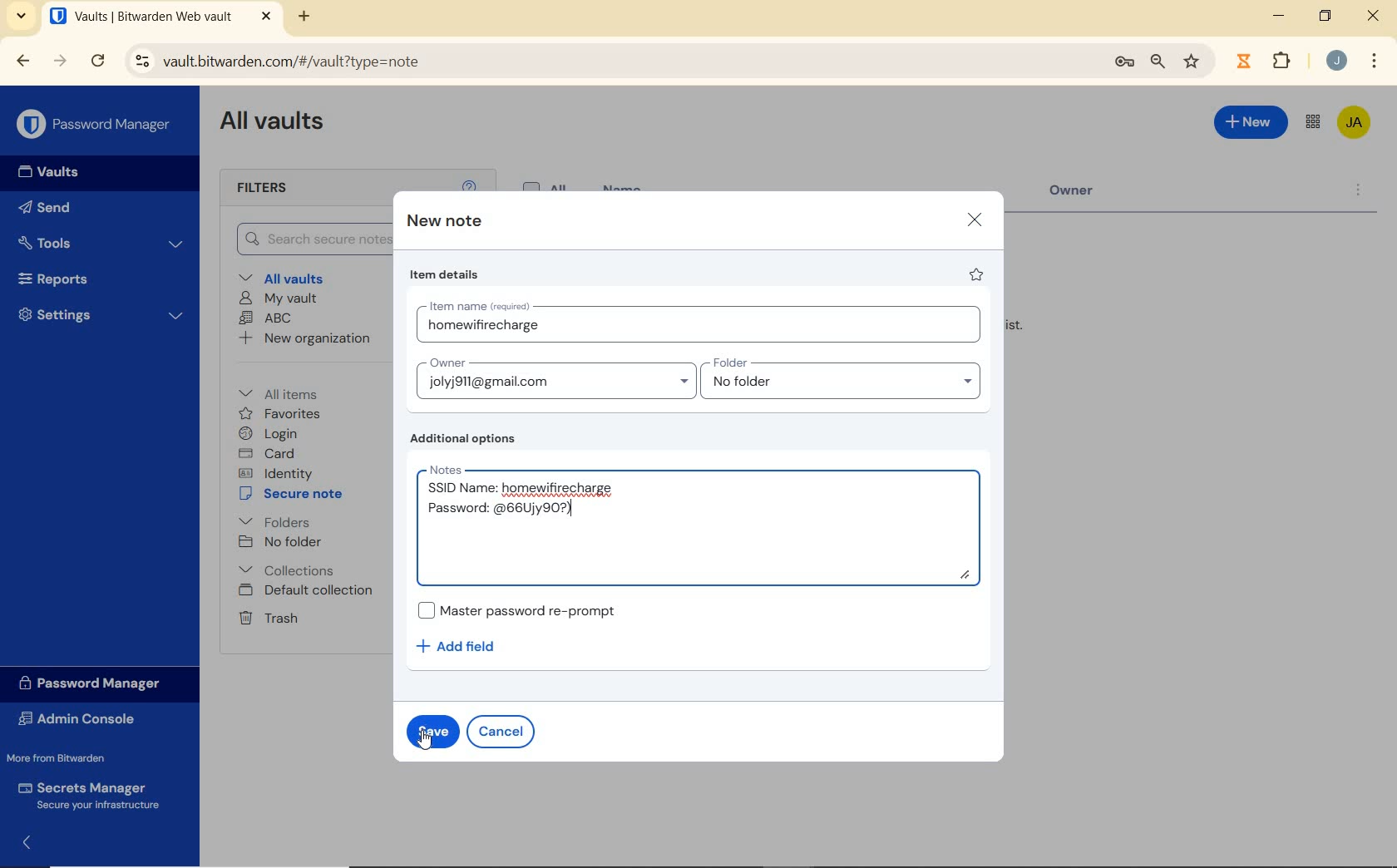 This screenshot has height=868, width=1397. Describe the element at coordinates (978, 274) in the screenshot. I see `favorite` at that location.